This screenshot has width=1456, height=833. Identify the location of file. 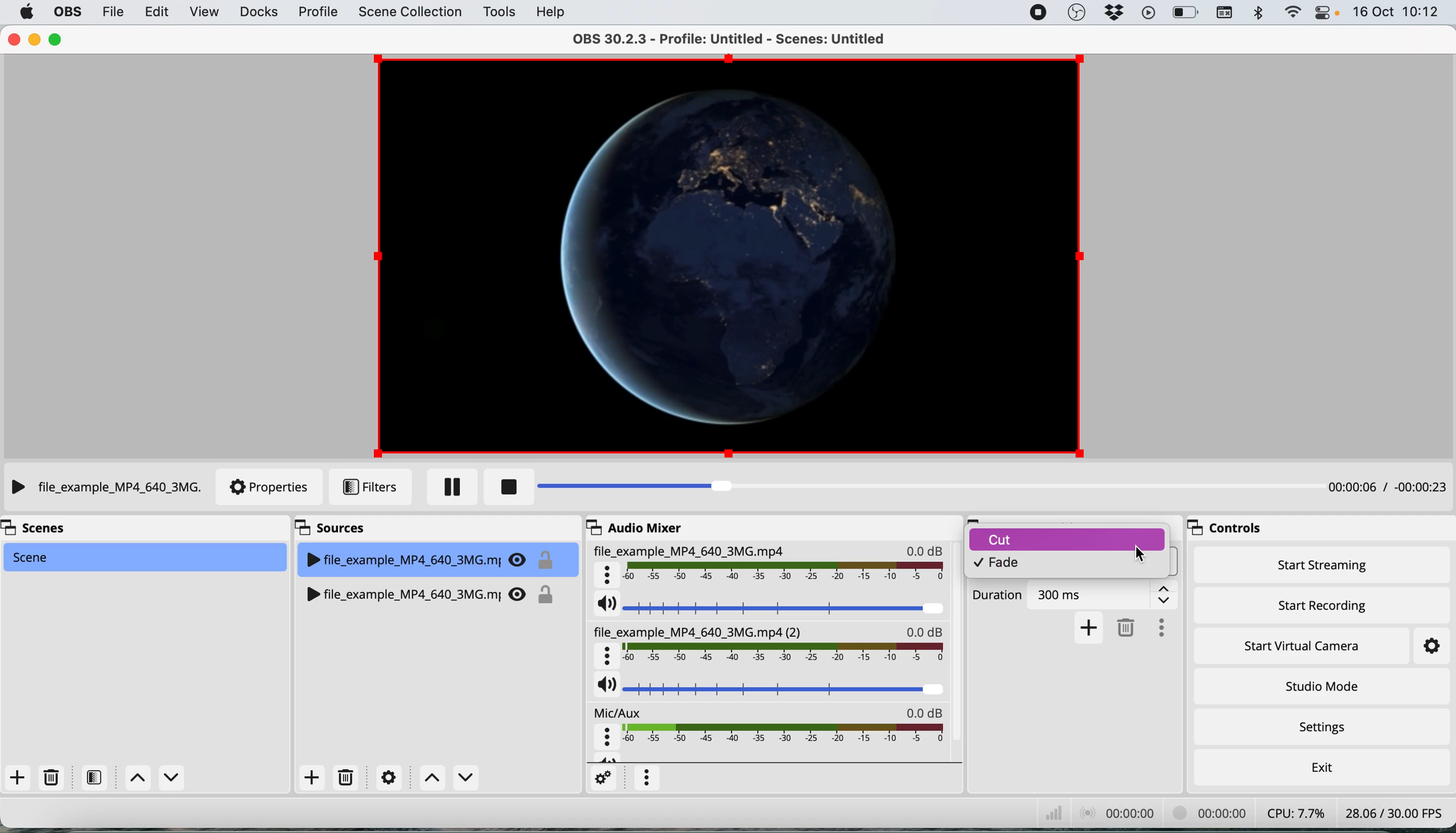
(117, 11).